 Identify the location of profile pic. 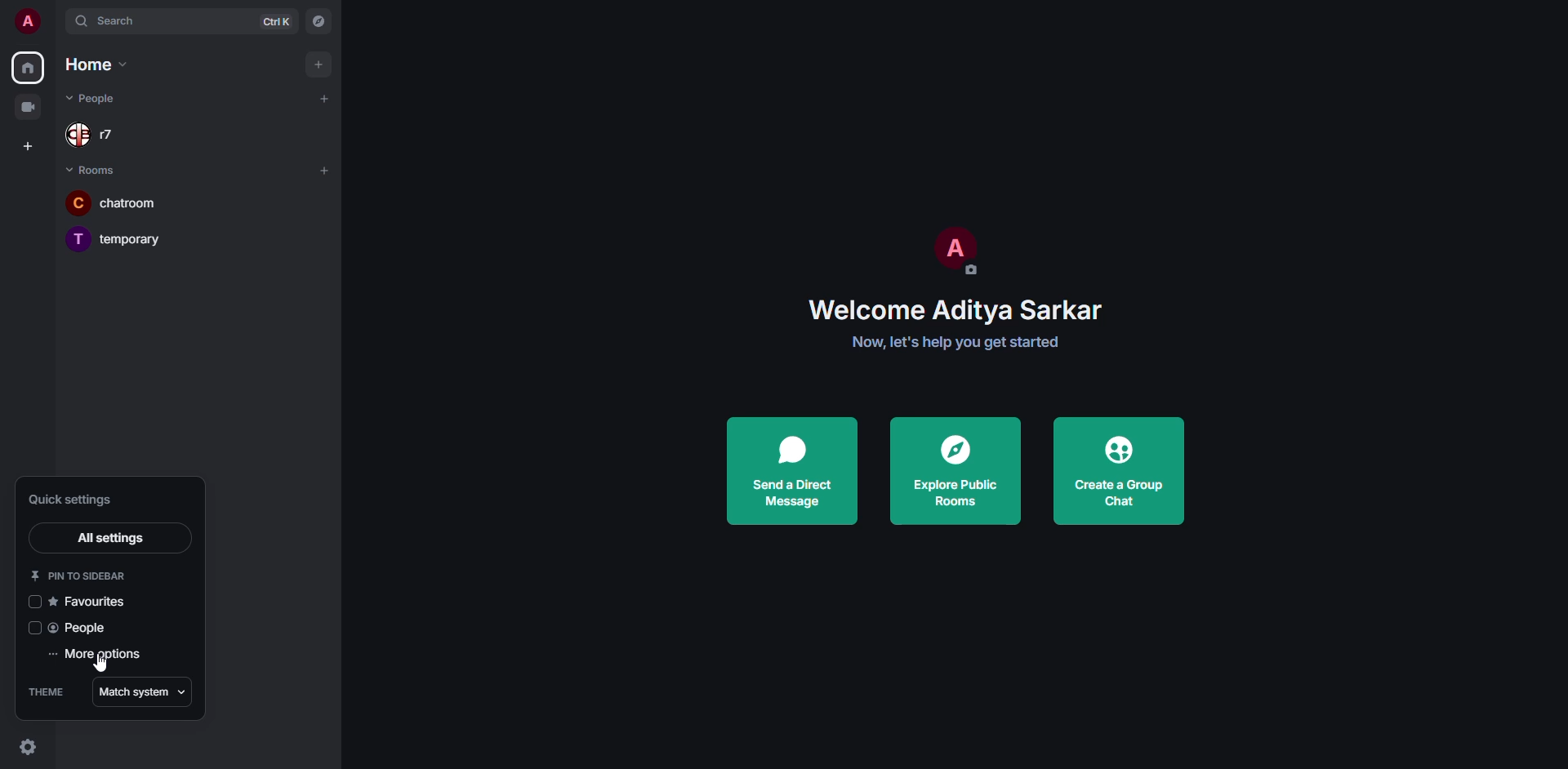
(953, 250).